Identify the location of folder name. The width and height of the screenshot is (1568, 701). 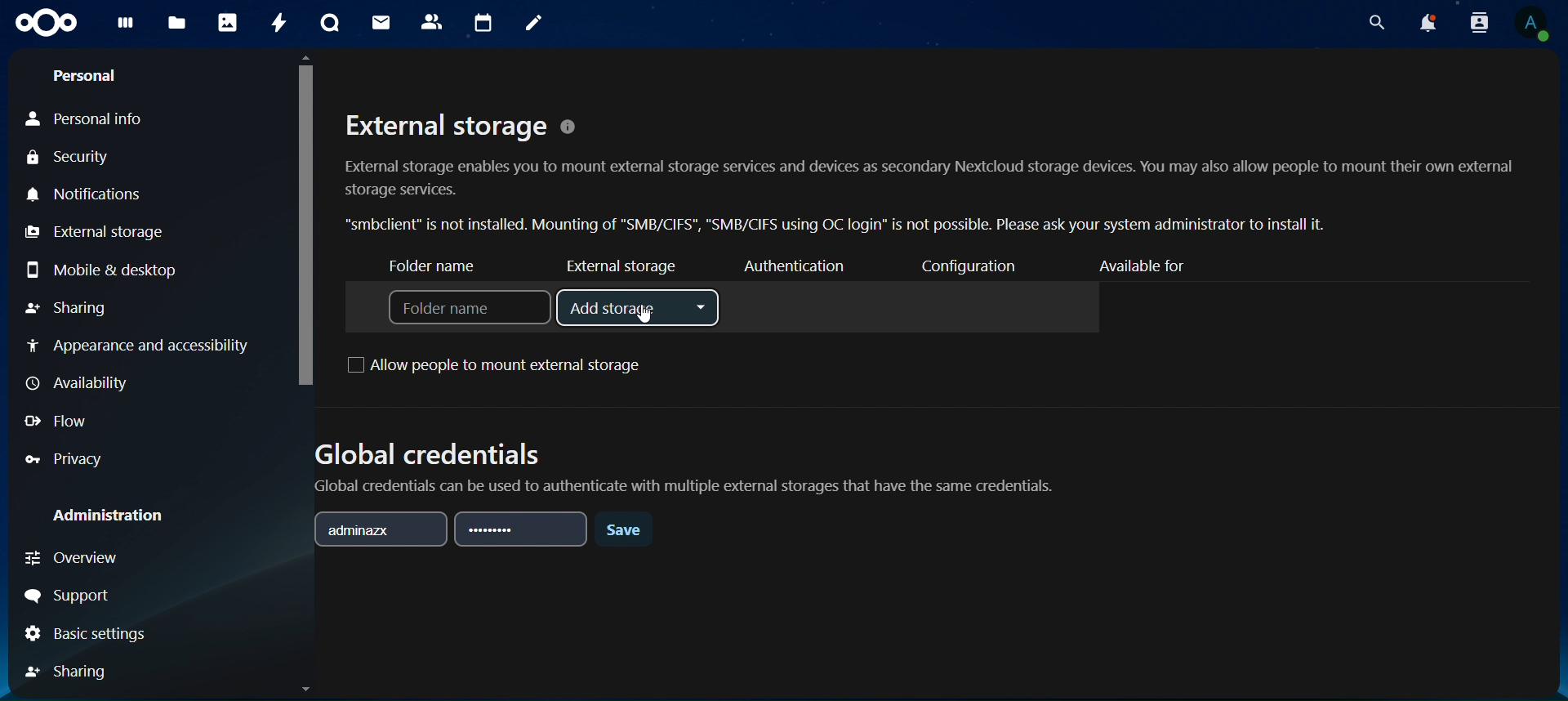
(440, 267).